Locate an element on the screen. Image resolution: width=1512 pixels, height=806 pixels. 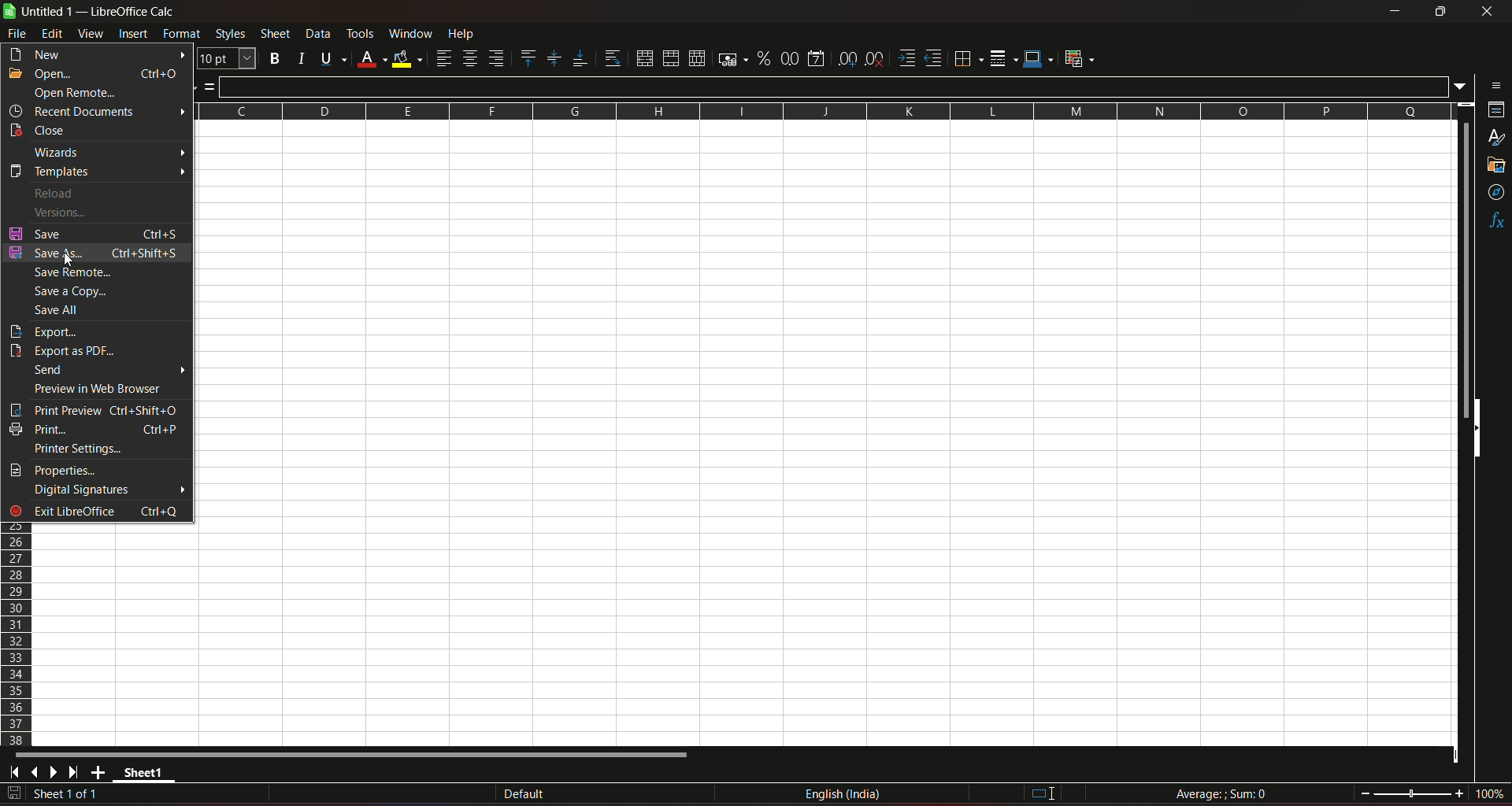
versions is located at coordinates (57, 211).